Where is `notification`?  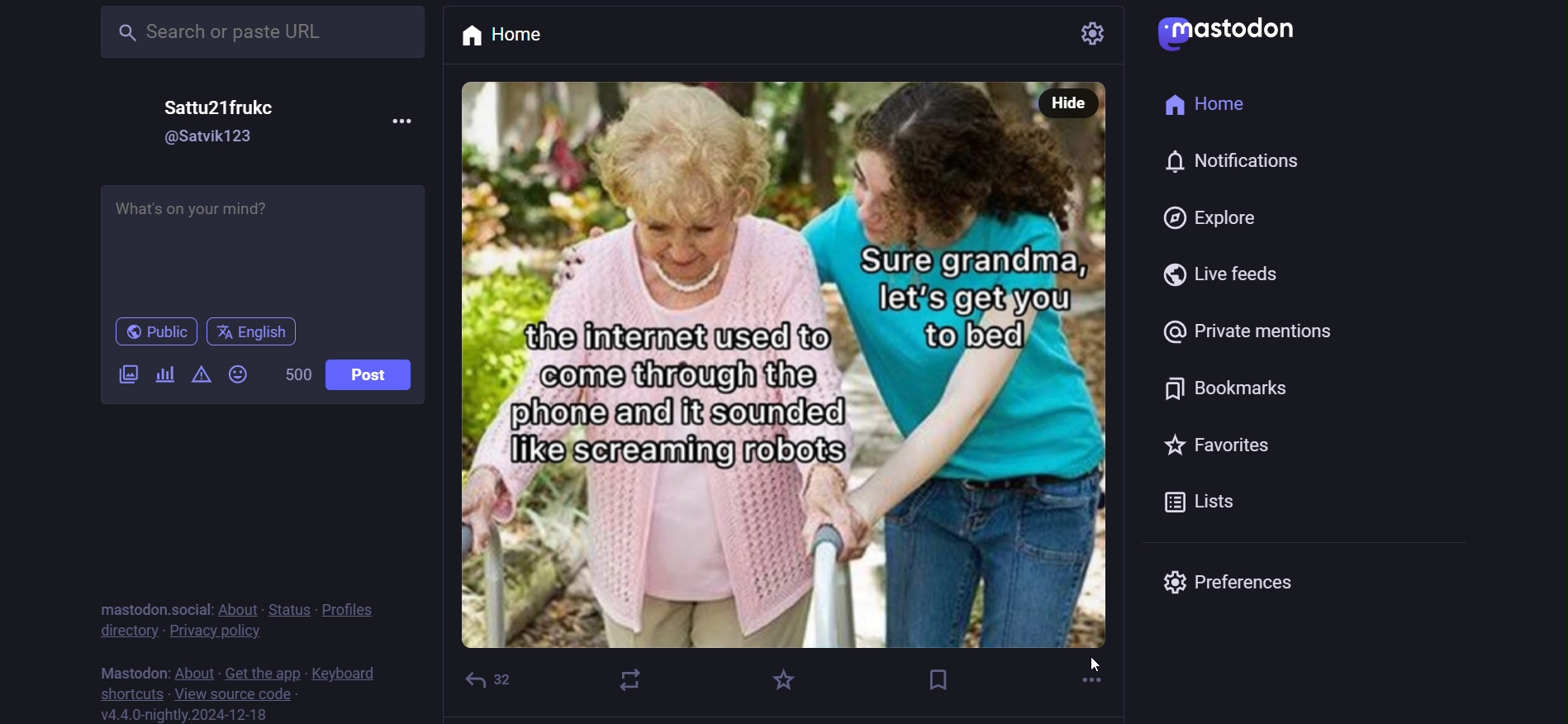
notification is located at coordinates (1221, 162).